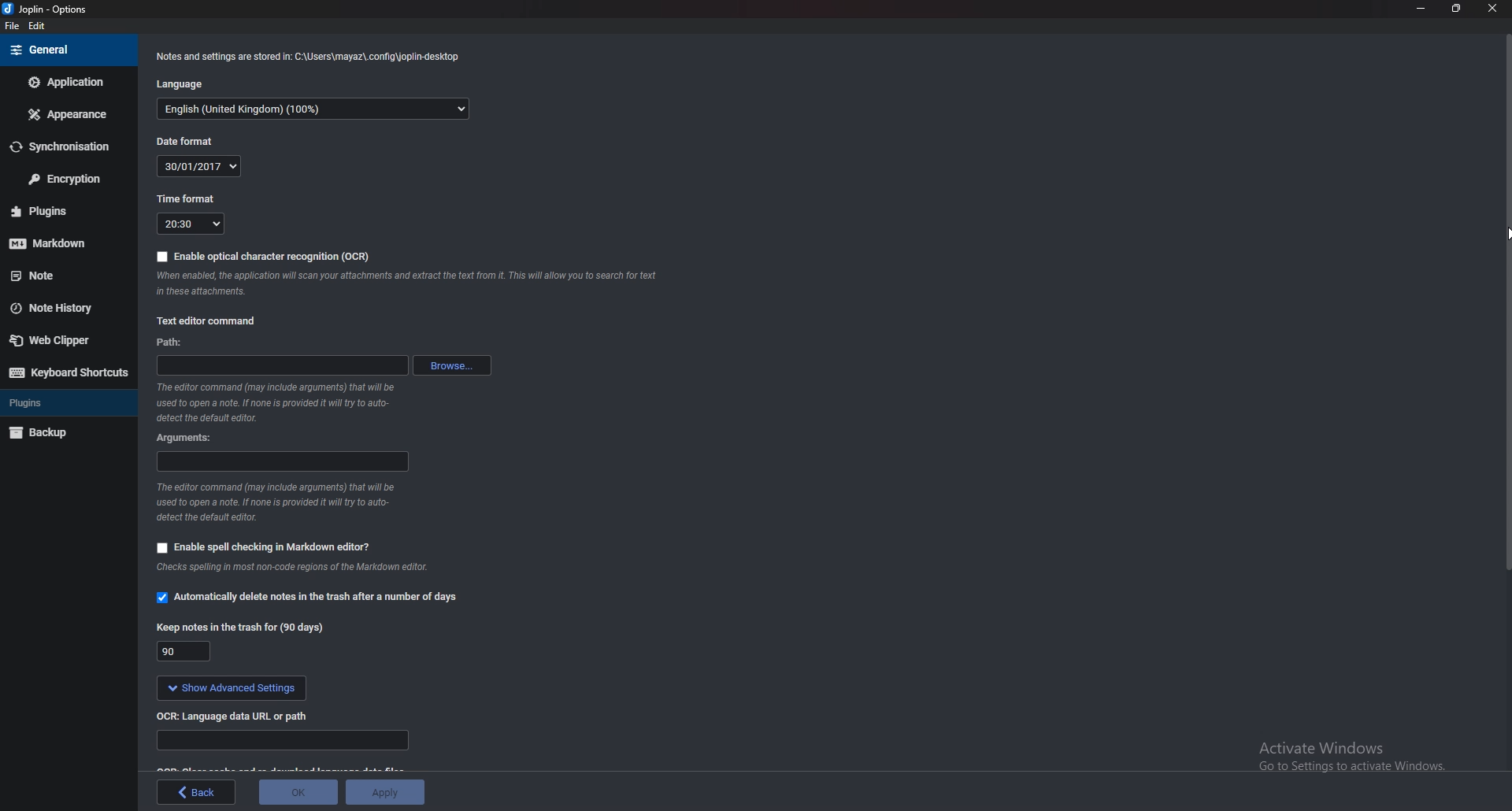  What do you see at coordinates (298, 792) in the screenshot?
I see `ok` at bounding box center [298, 792].